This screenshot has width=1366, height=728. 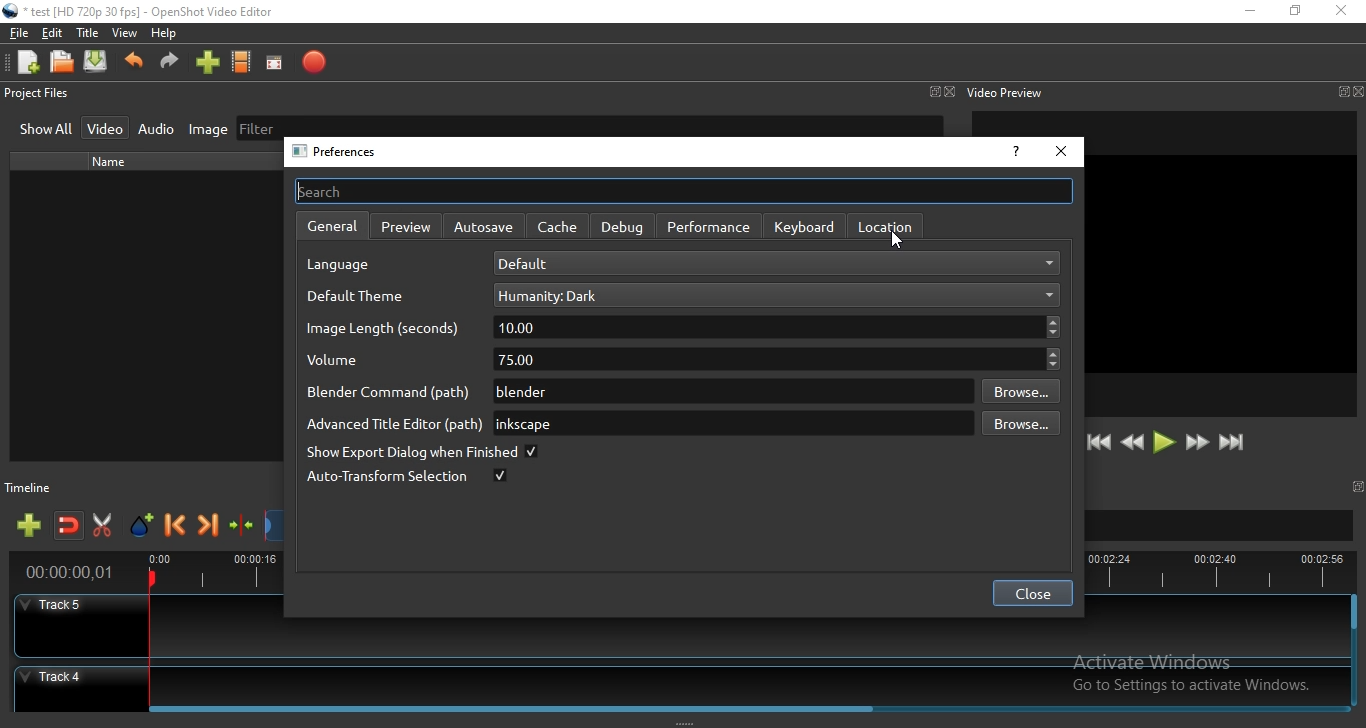 I want to click on Jump to end, so click(x=1233, y=443).